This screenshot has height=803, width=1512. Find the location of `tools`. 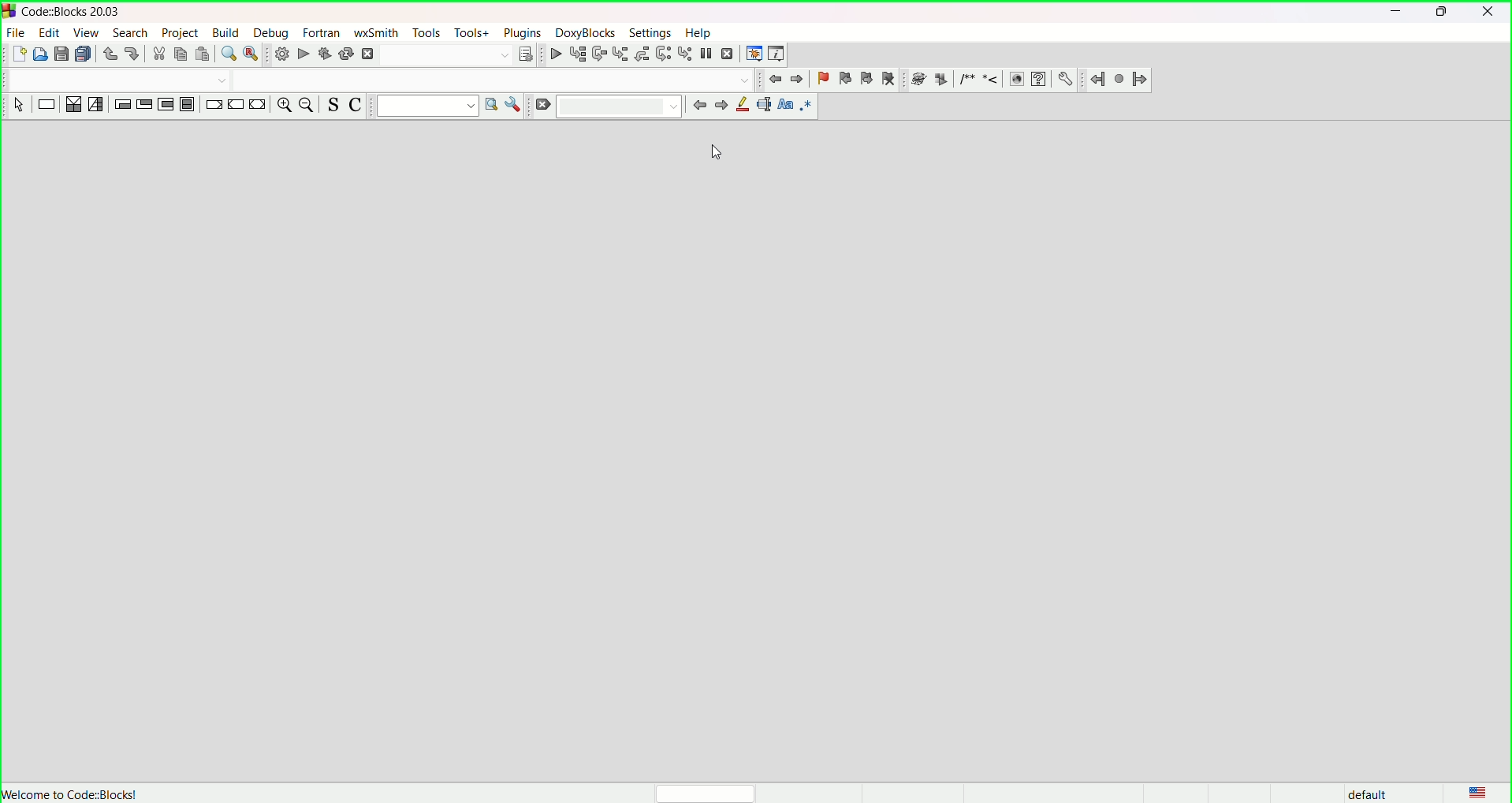

tools is located at coordinates (426, 32).